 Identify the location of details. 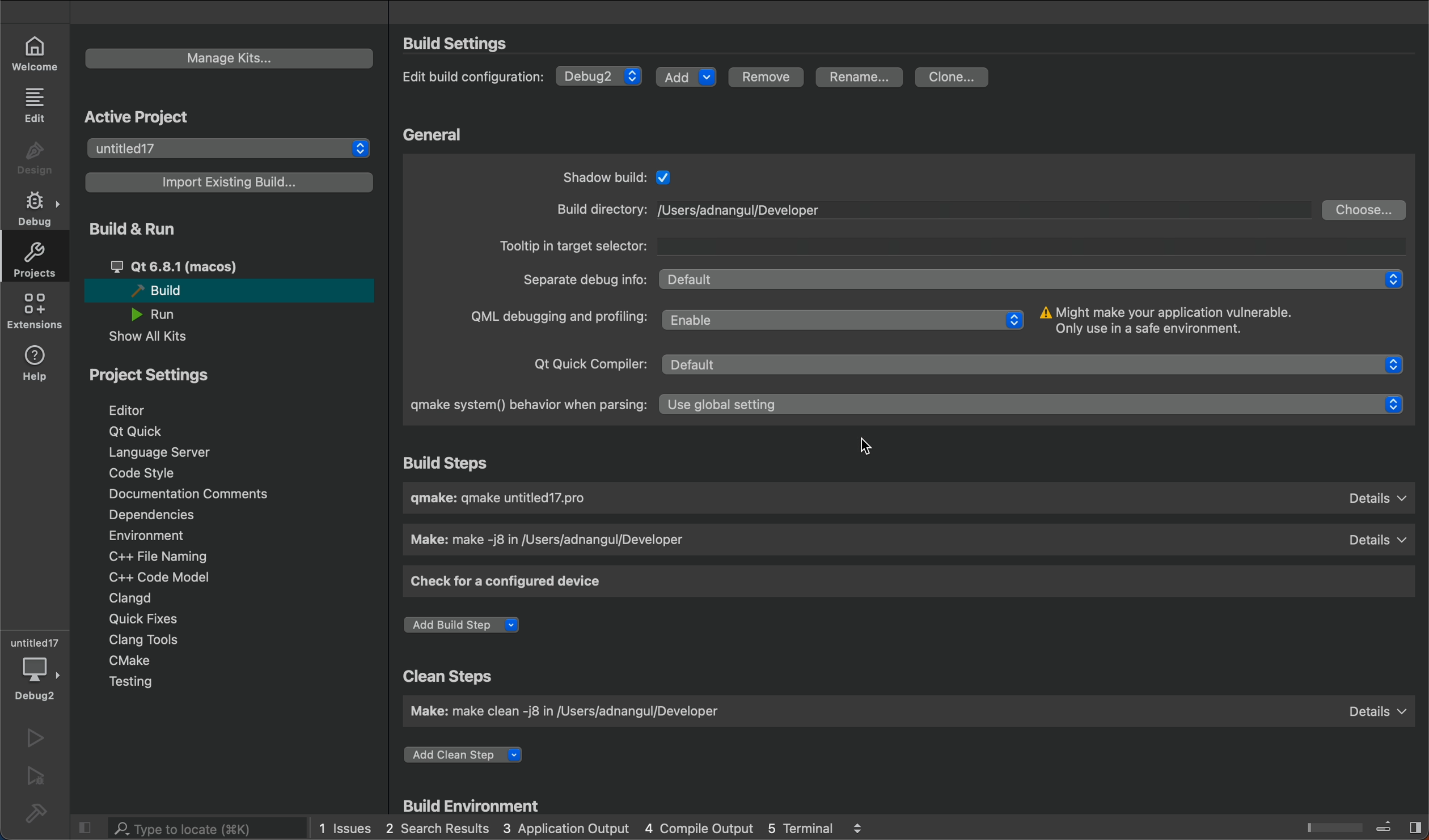
(1378, 540).